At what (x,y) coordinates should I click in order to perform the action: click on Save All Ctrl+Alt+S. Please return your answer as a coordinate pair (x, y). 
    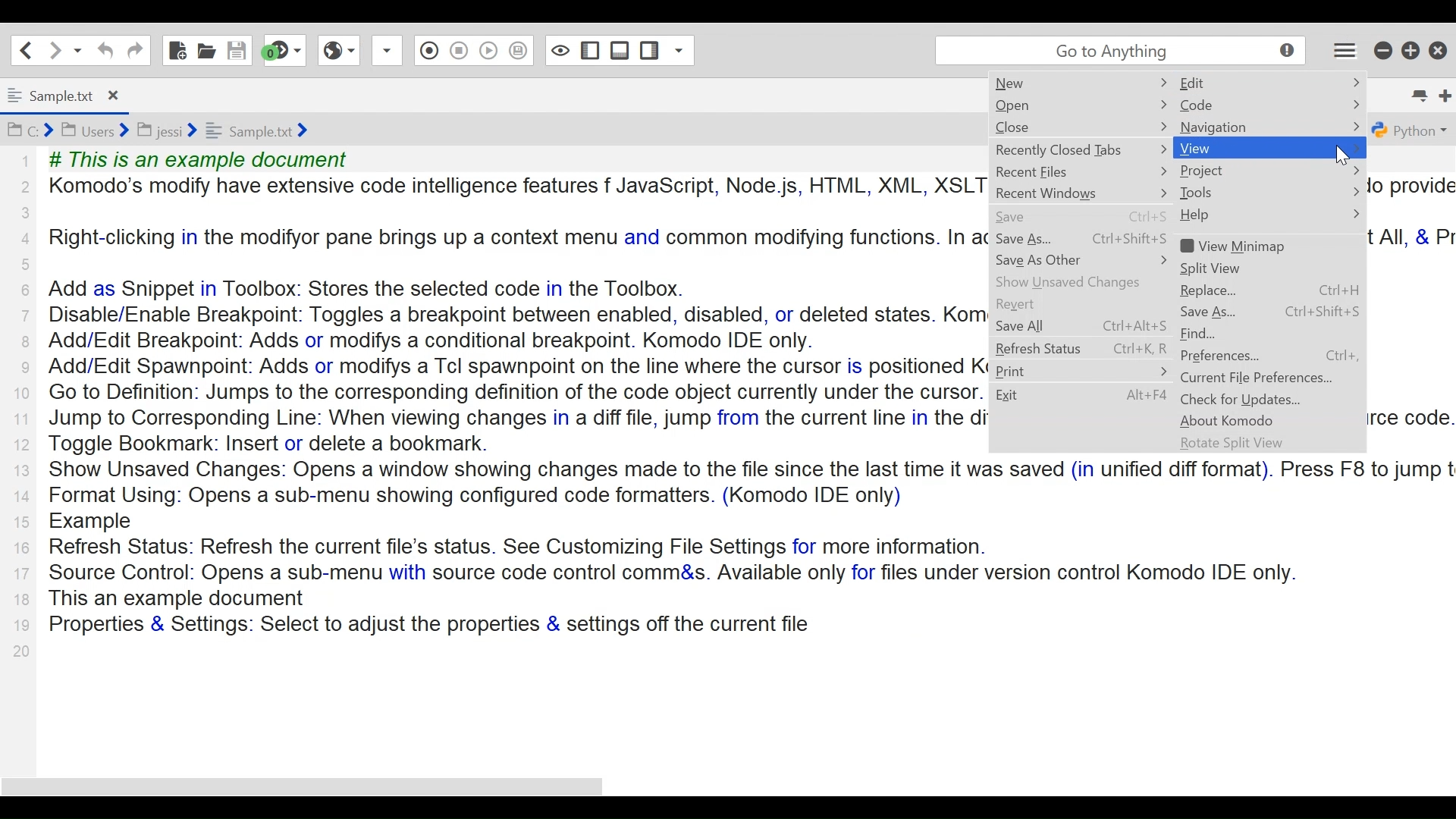
    Looking at the image, I should click on (1087, 328).